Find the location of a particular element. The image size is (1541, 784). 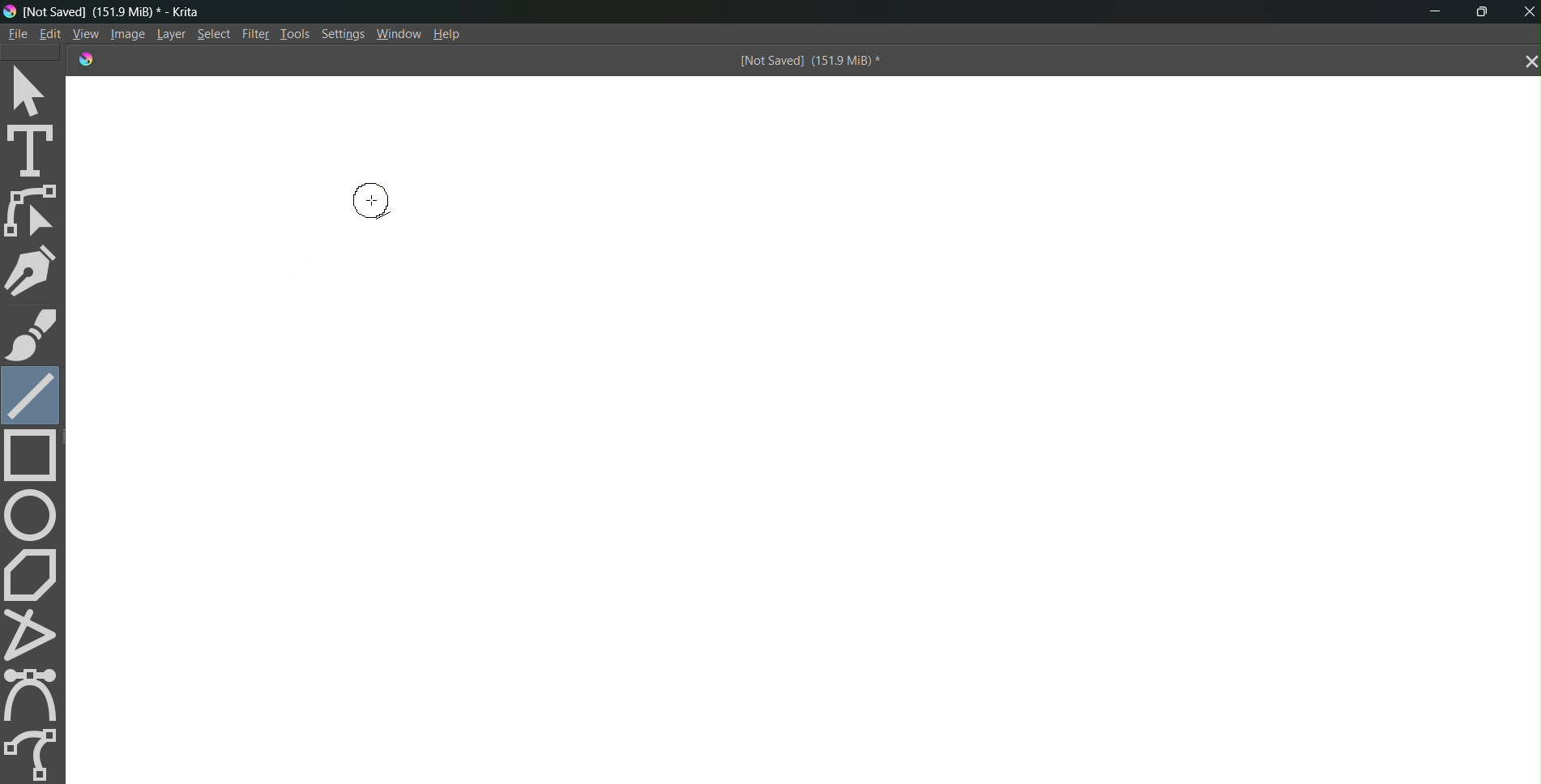

Tools is located at coordinates (293, 32).